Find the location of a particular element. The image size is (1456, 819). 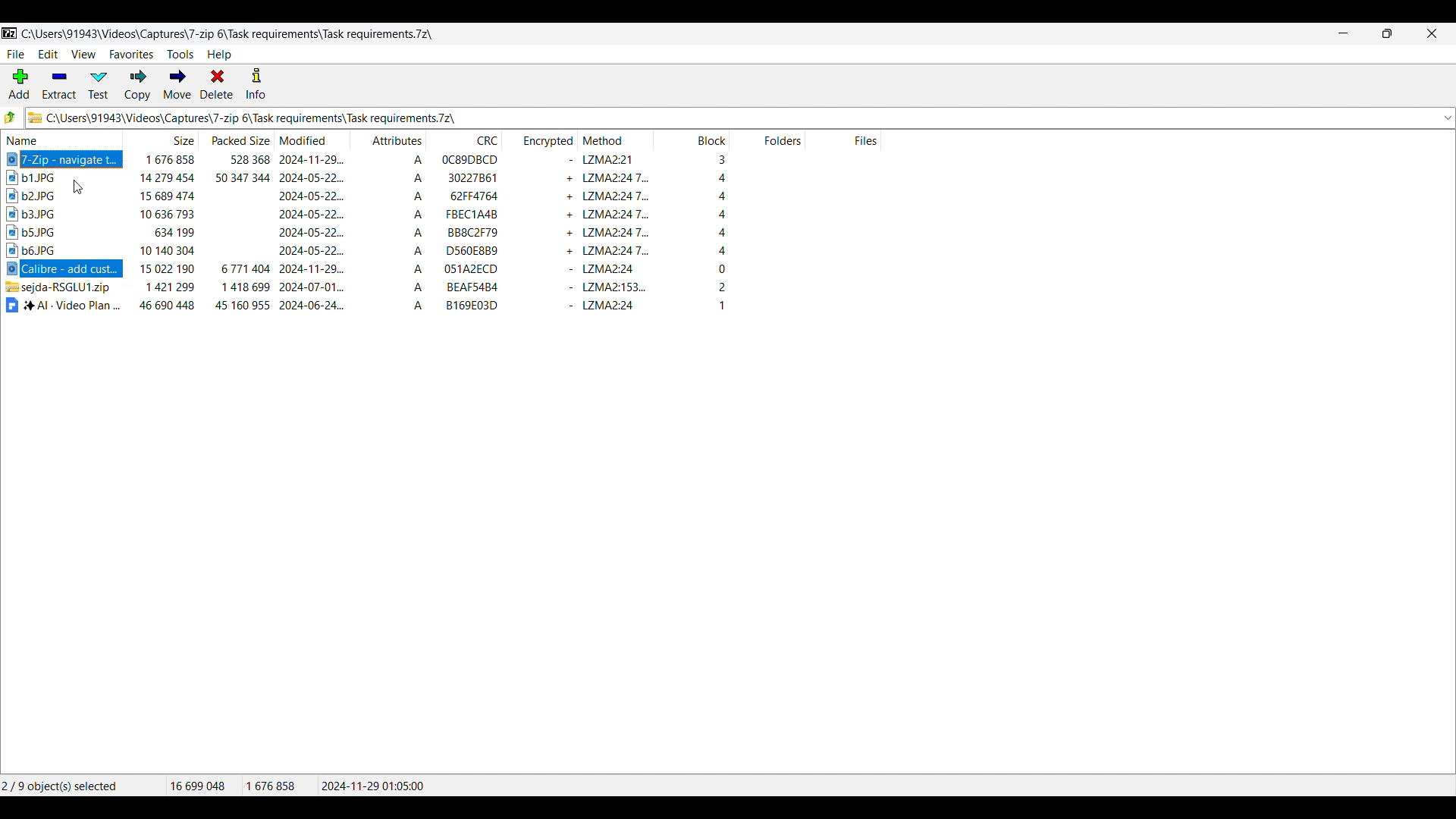

image 3 is located at coordinates (45, 214).